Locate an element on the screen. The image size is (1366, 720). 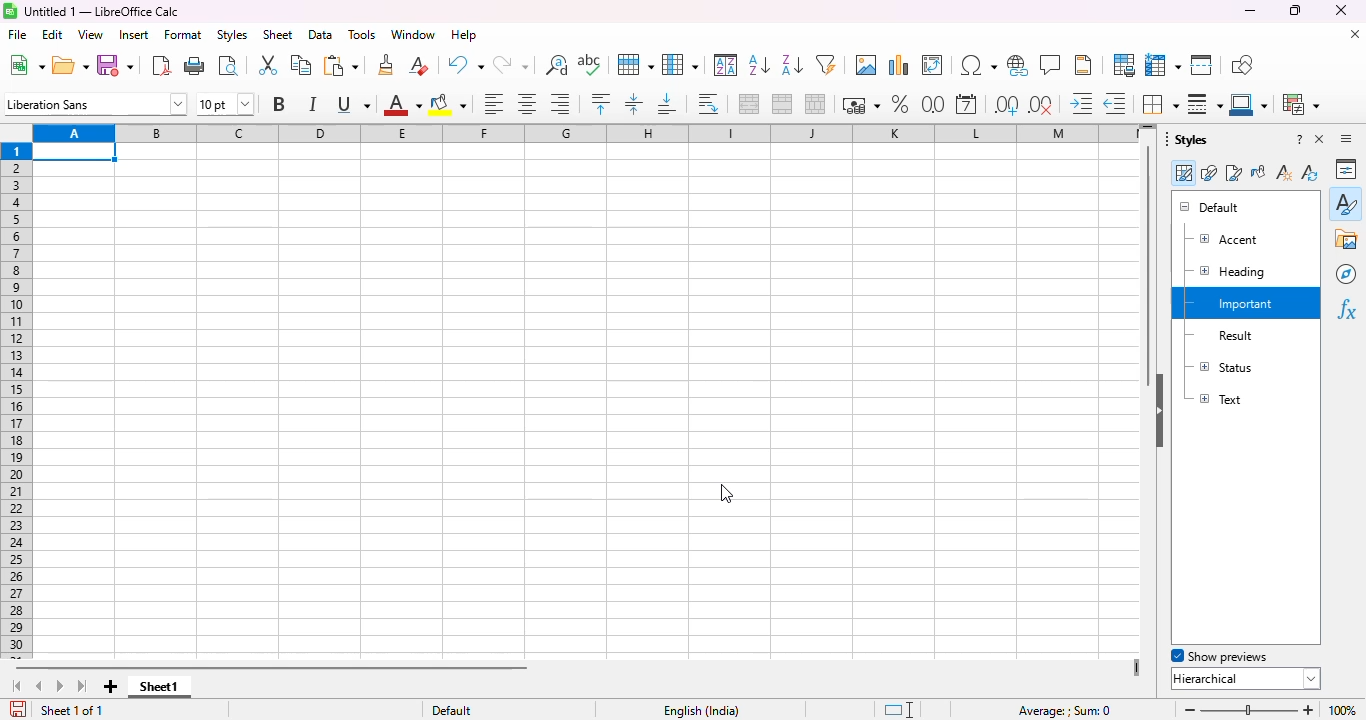
page styles is located at coordinates (1233, 172).